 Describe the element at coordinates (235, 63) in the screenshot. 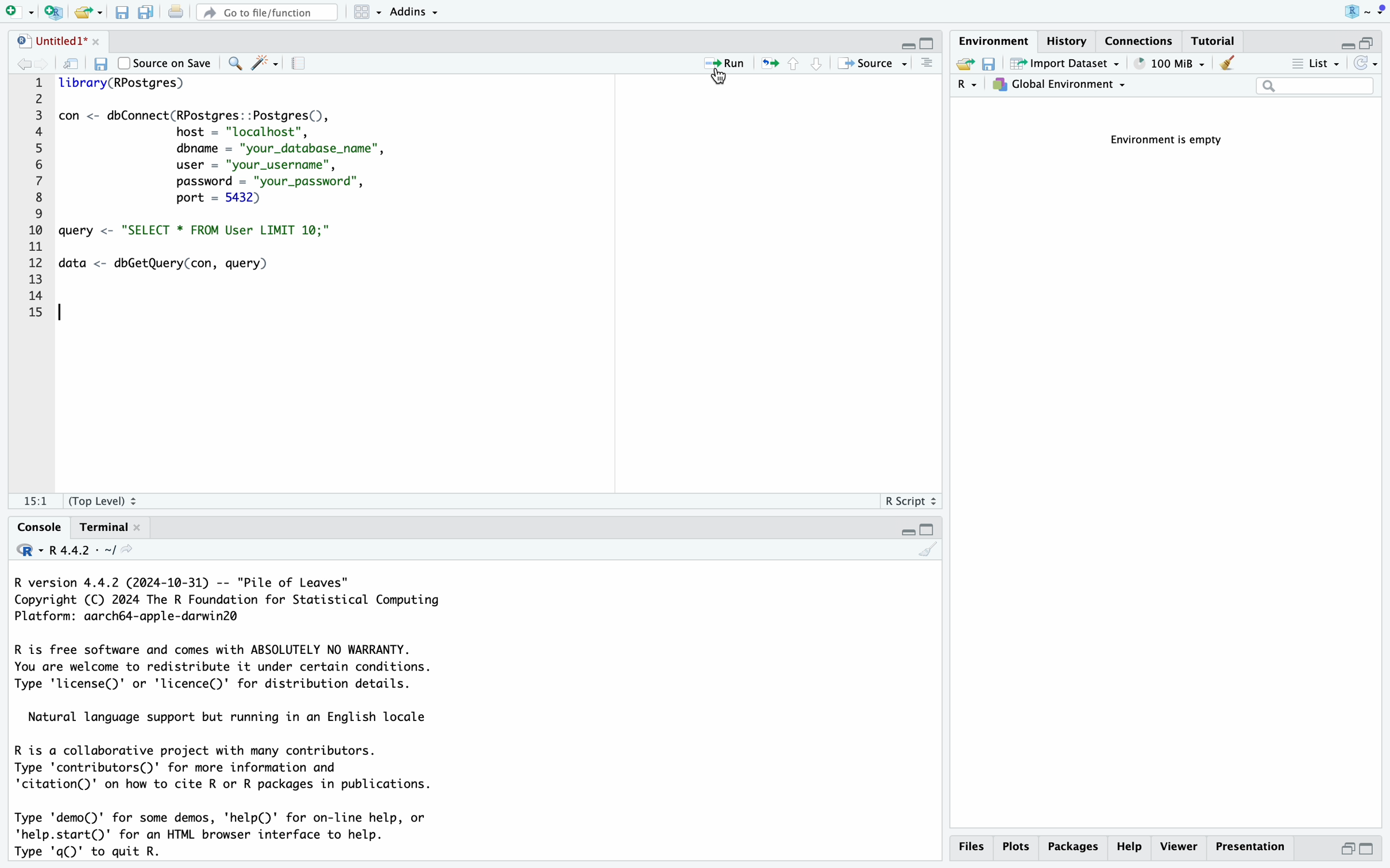

I see `find/replace` at that location.